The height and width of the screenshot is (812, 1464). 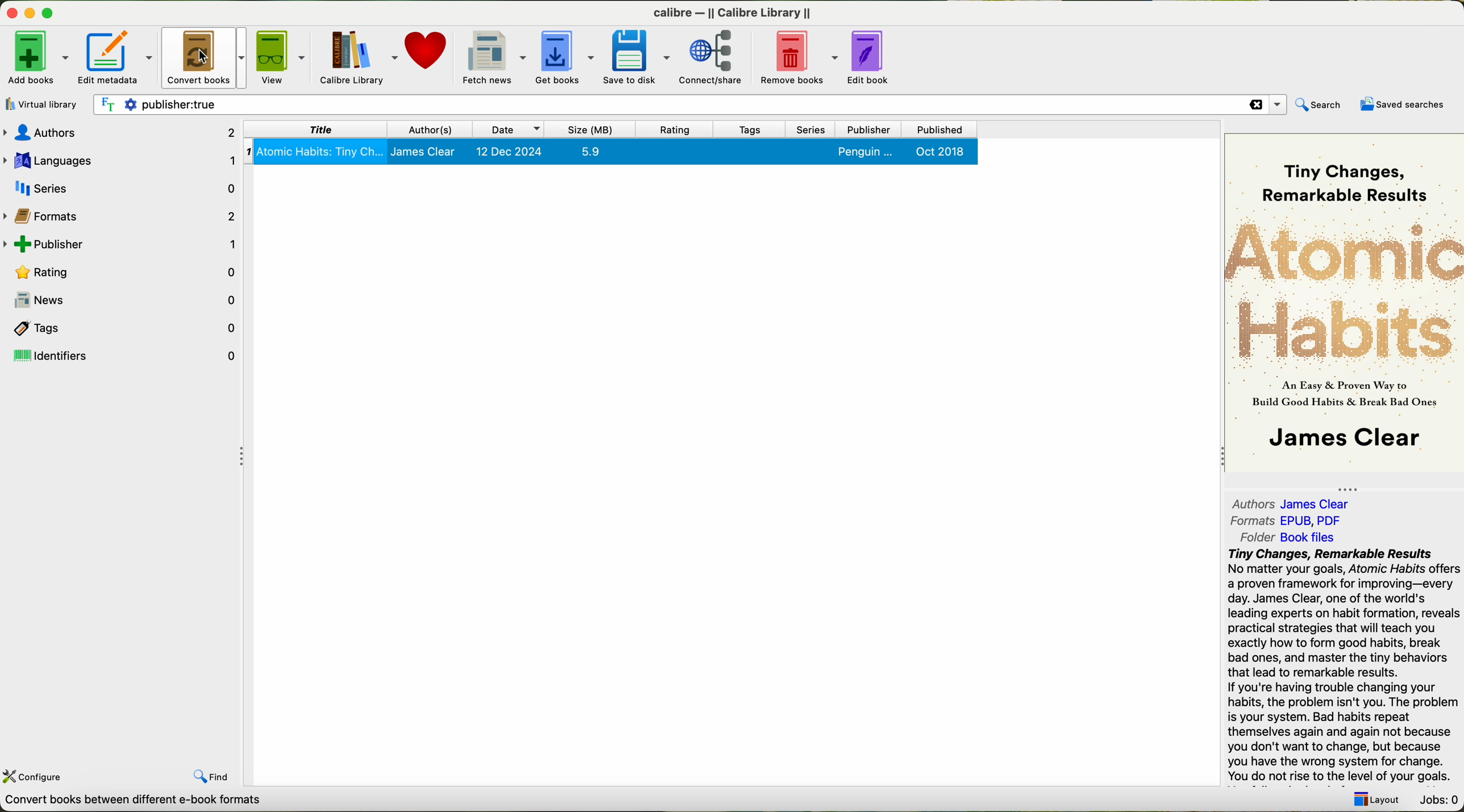 I want to click on edit metadata, so click(x=115, y=57).